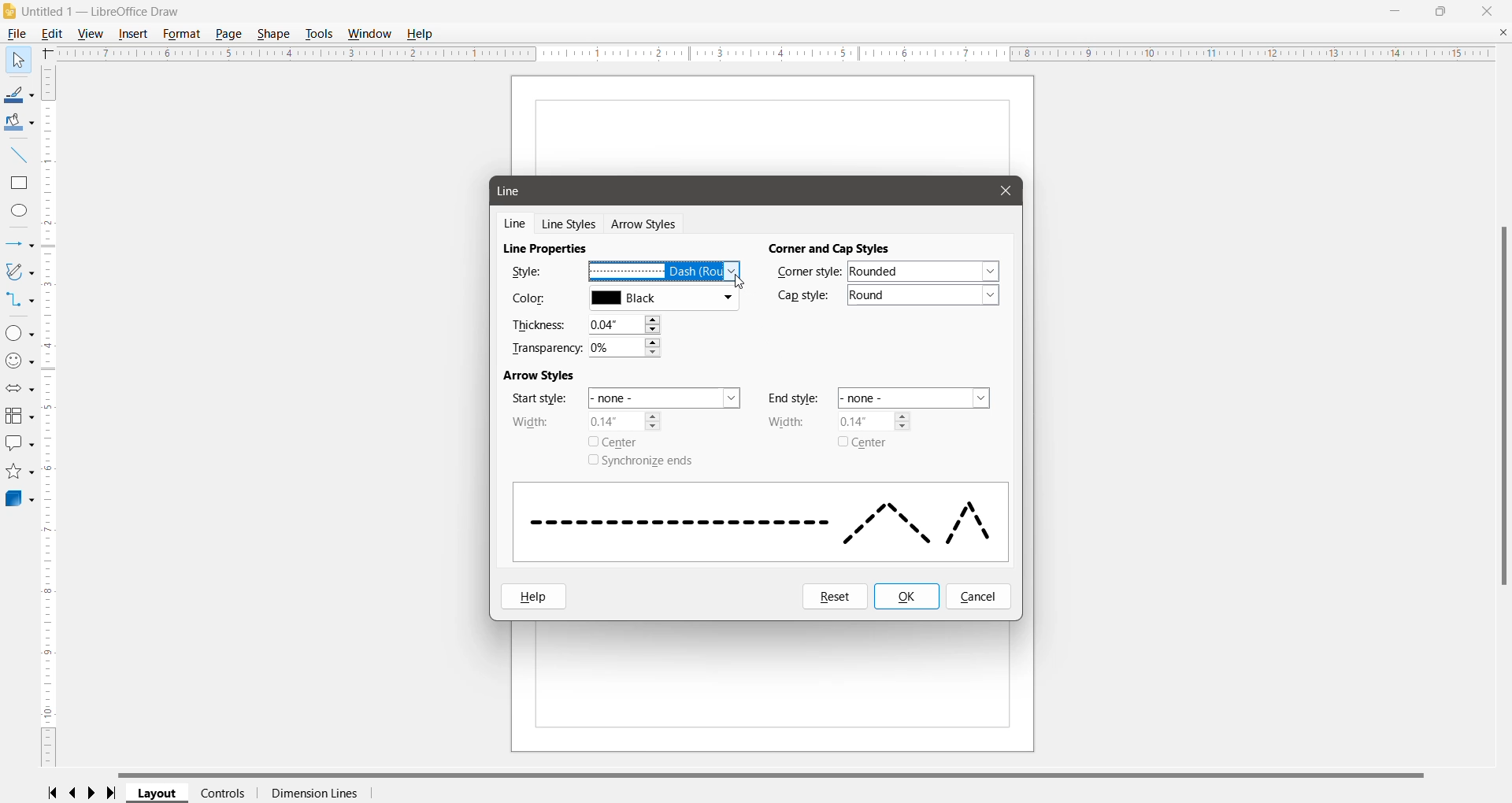 The image size is (1512, 803). I want to click on OK, so click(906, 597).